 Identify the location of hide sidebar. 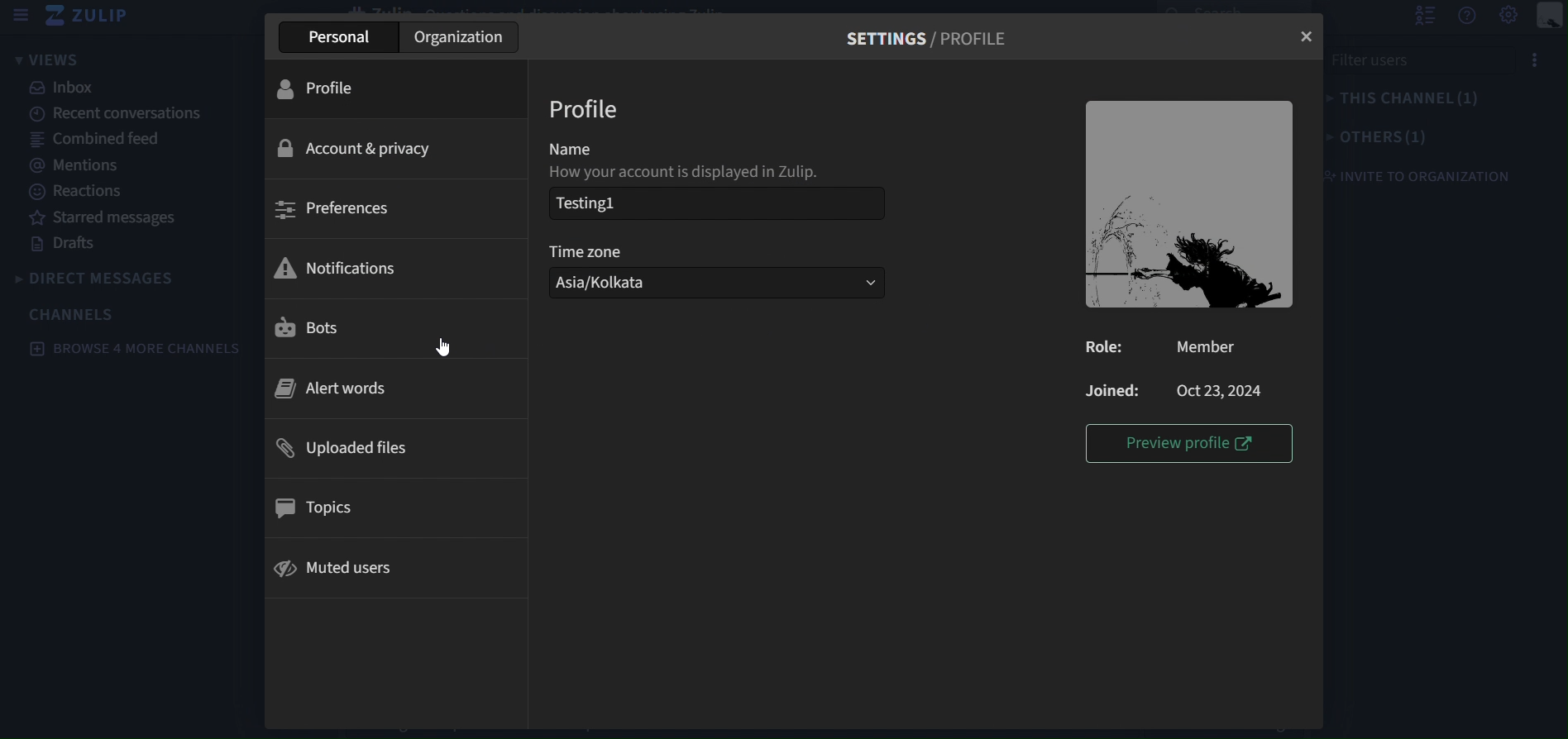
(22, 16).